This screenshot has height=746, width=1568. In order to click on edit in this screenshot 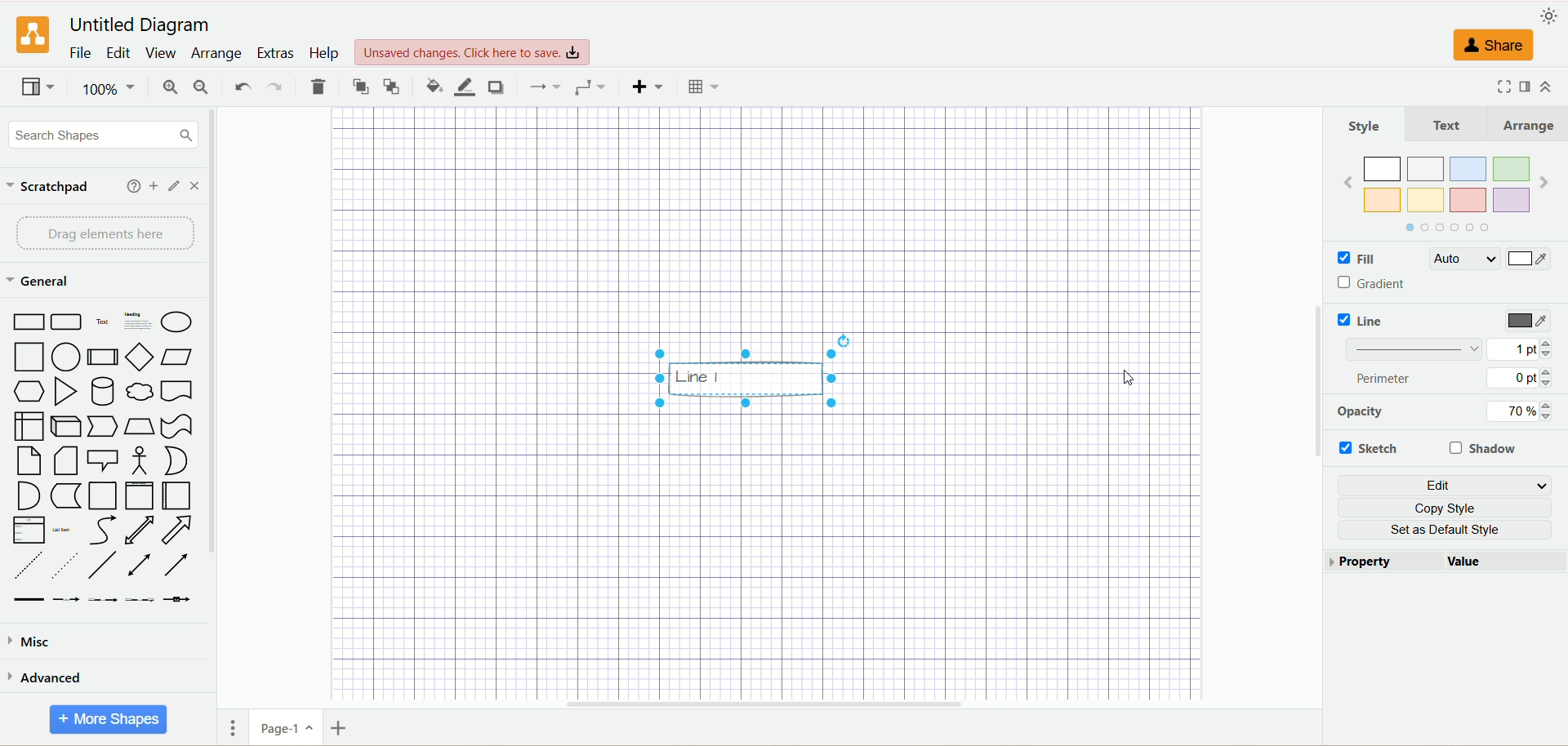, I will do `click(172, 186)`.